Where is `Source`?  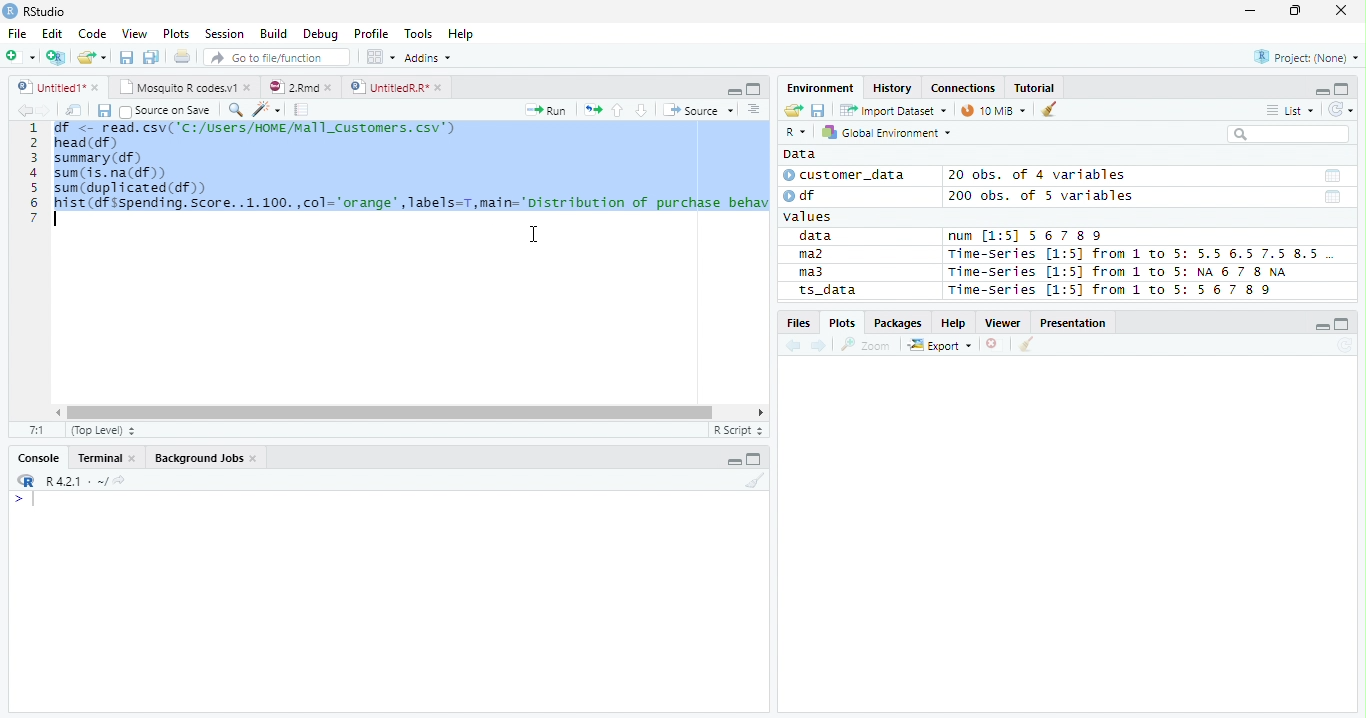
Source is located at coordinates (696, 110).